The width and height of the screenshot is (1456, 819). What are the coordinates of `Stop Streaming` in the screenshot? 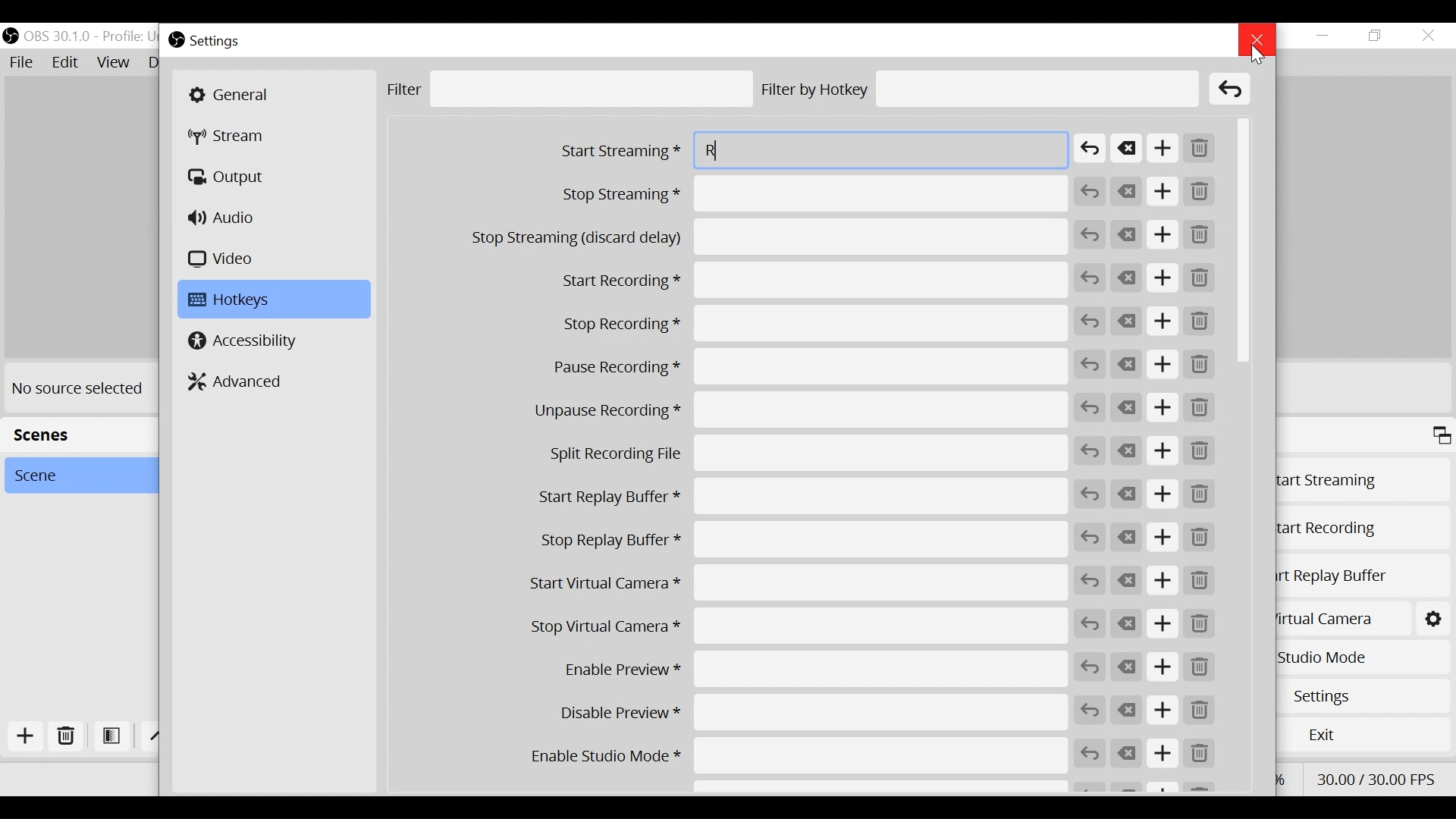 It's located at (813, 194).